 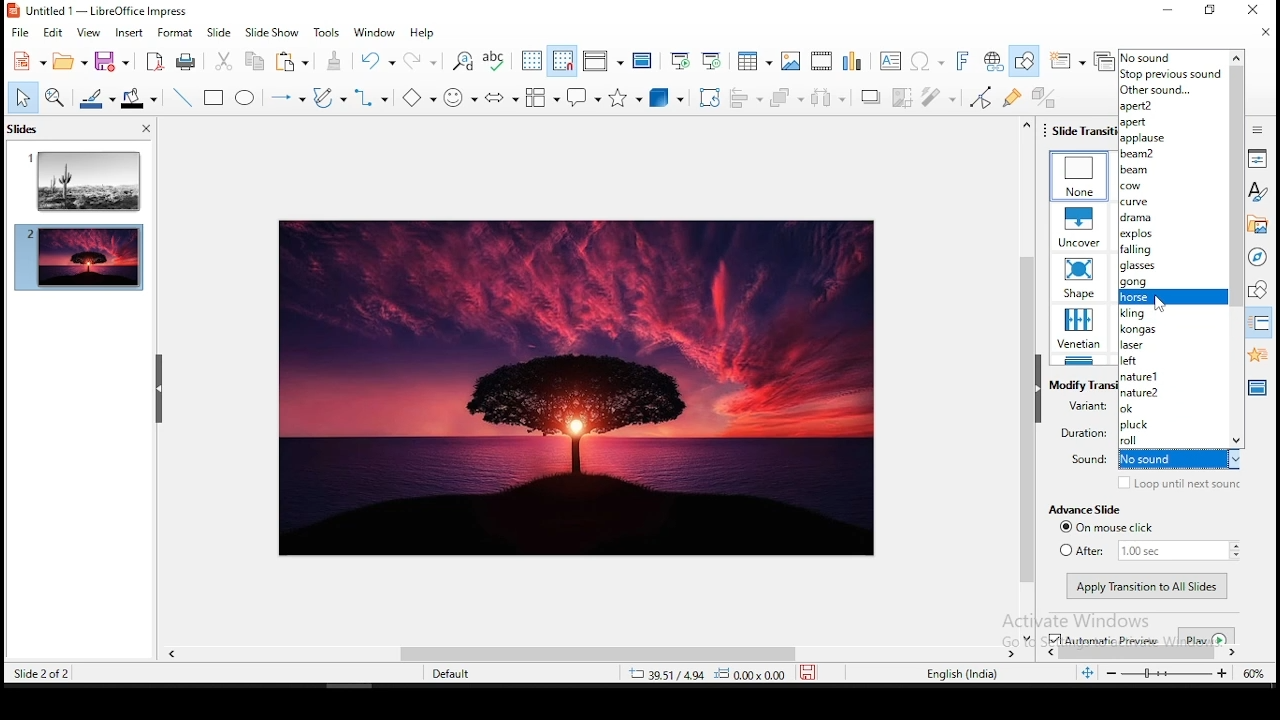 I want to click on charts, so click(x=852, y=62).